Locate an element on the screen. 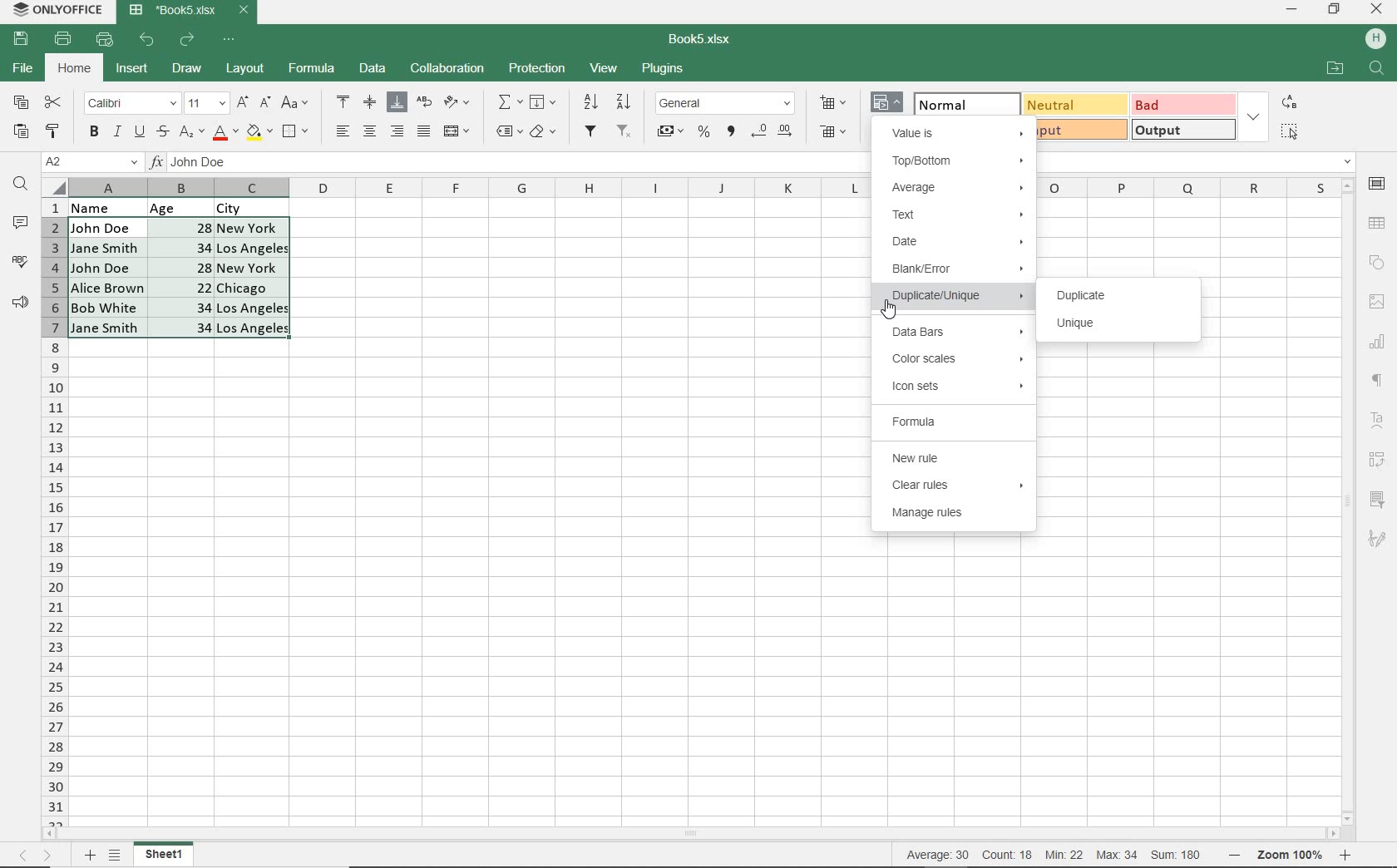  DRAW is located at coordinates (188, 68).